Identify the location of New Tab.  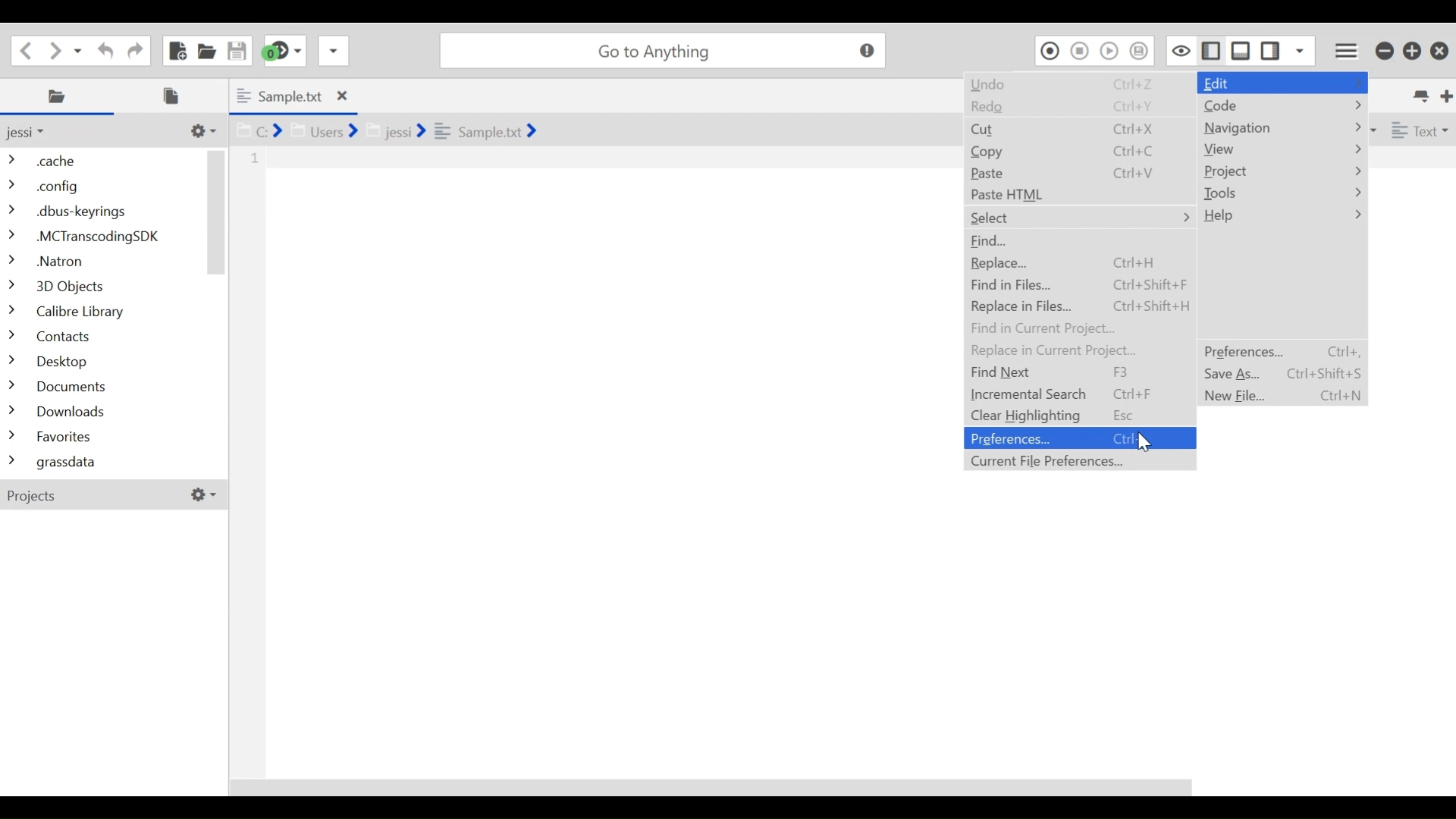
(1444, 94).